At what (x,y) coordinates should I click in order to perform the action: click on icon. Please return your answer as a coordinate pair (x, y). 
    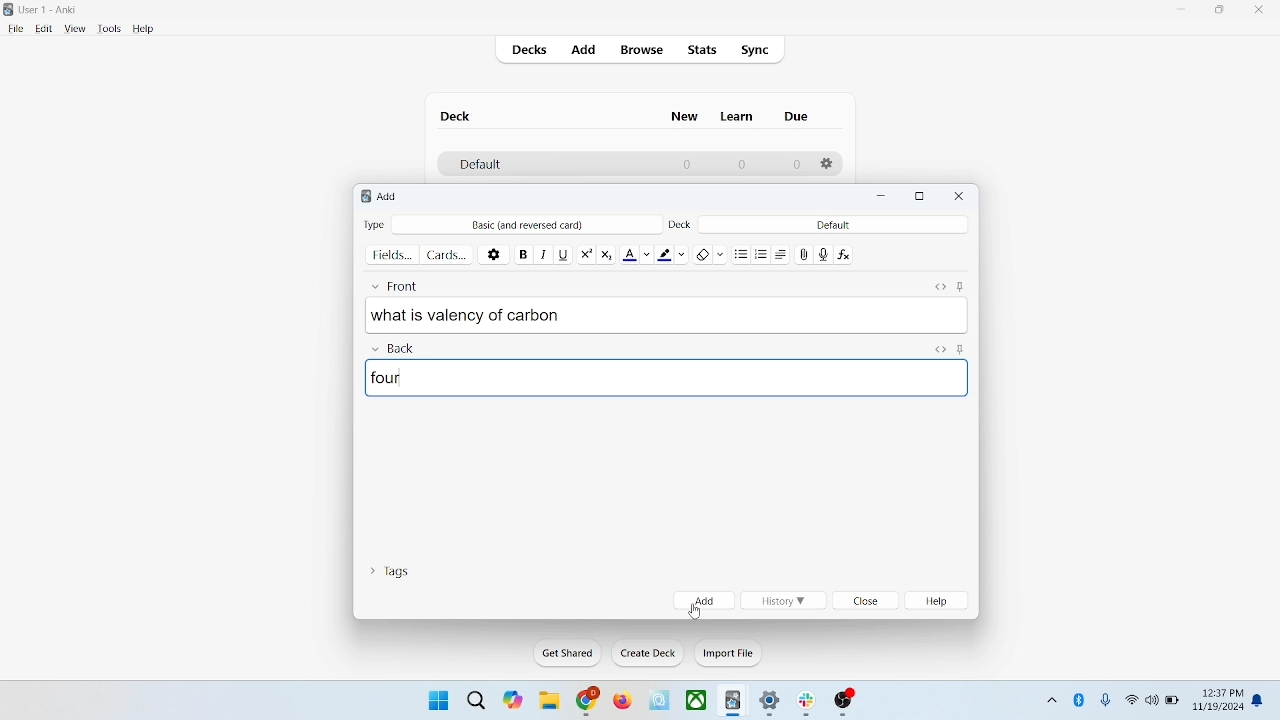
    Looking at the image, I should click on (661, 701).